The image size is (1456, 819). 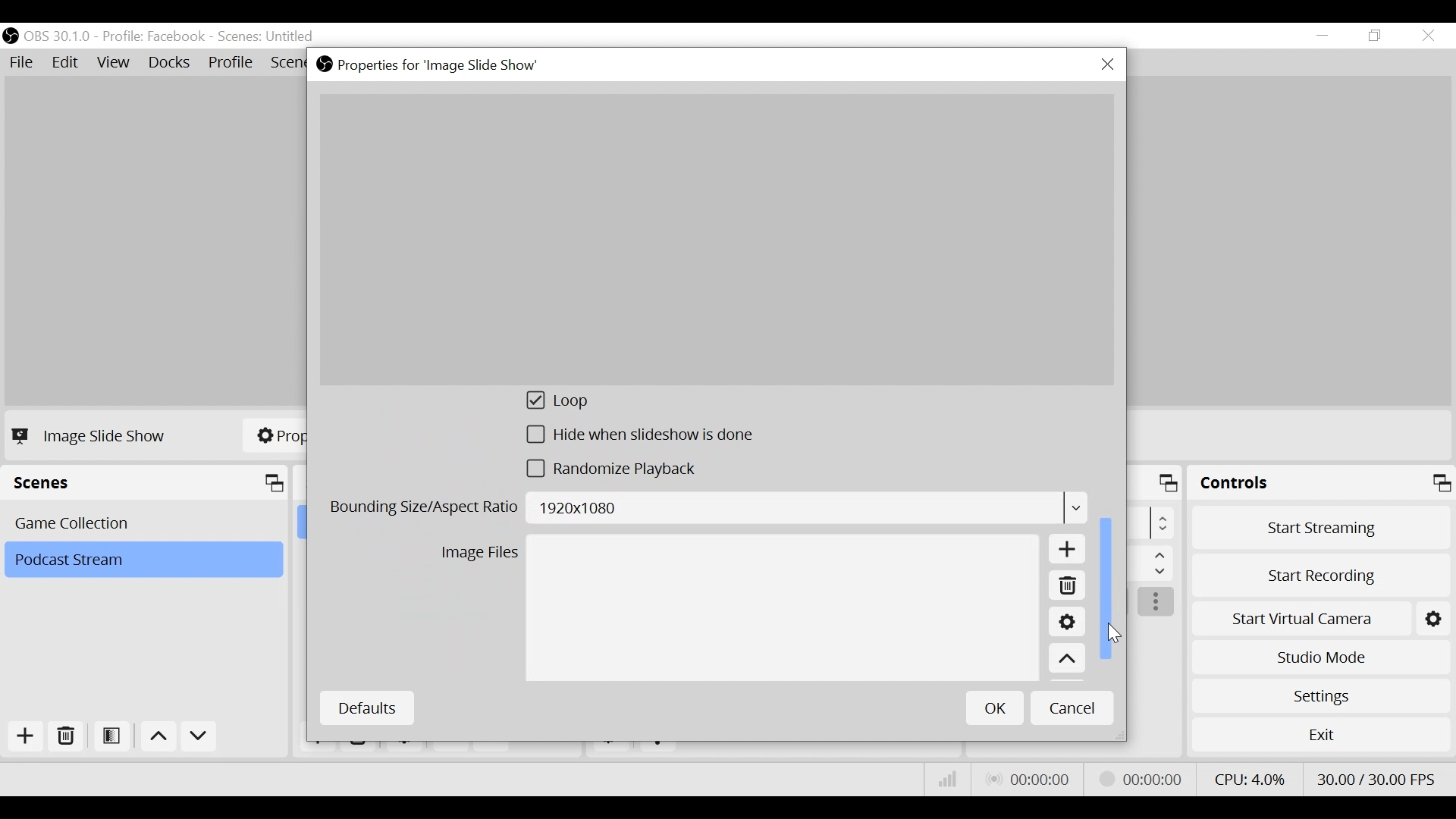 What do you see at coordinates (995, 708) in the screenshot?
I see `OK` at bounding box center [995, 708].